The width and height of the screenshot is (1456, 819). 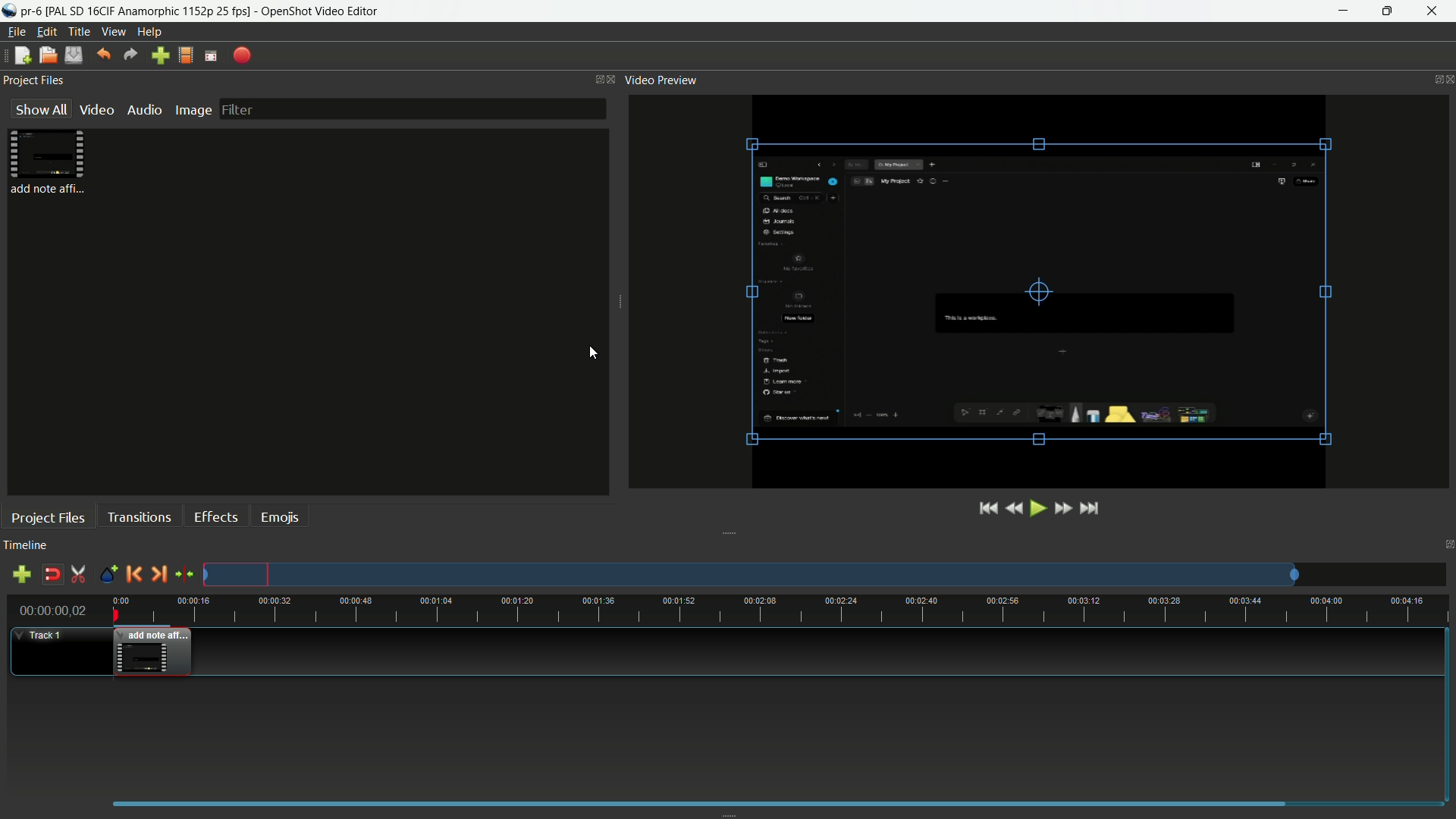 What do you see at coordinates (79, 33) in the screenshot?
I see `title menu` at bounding box center [79, 33].